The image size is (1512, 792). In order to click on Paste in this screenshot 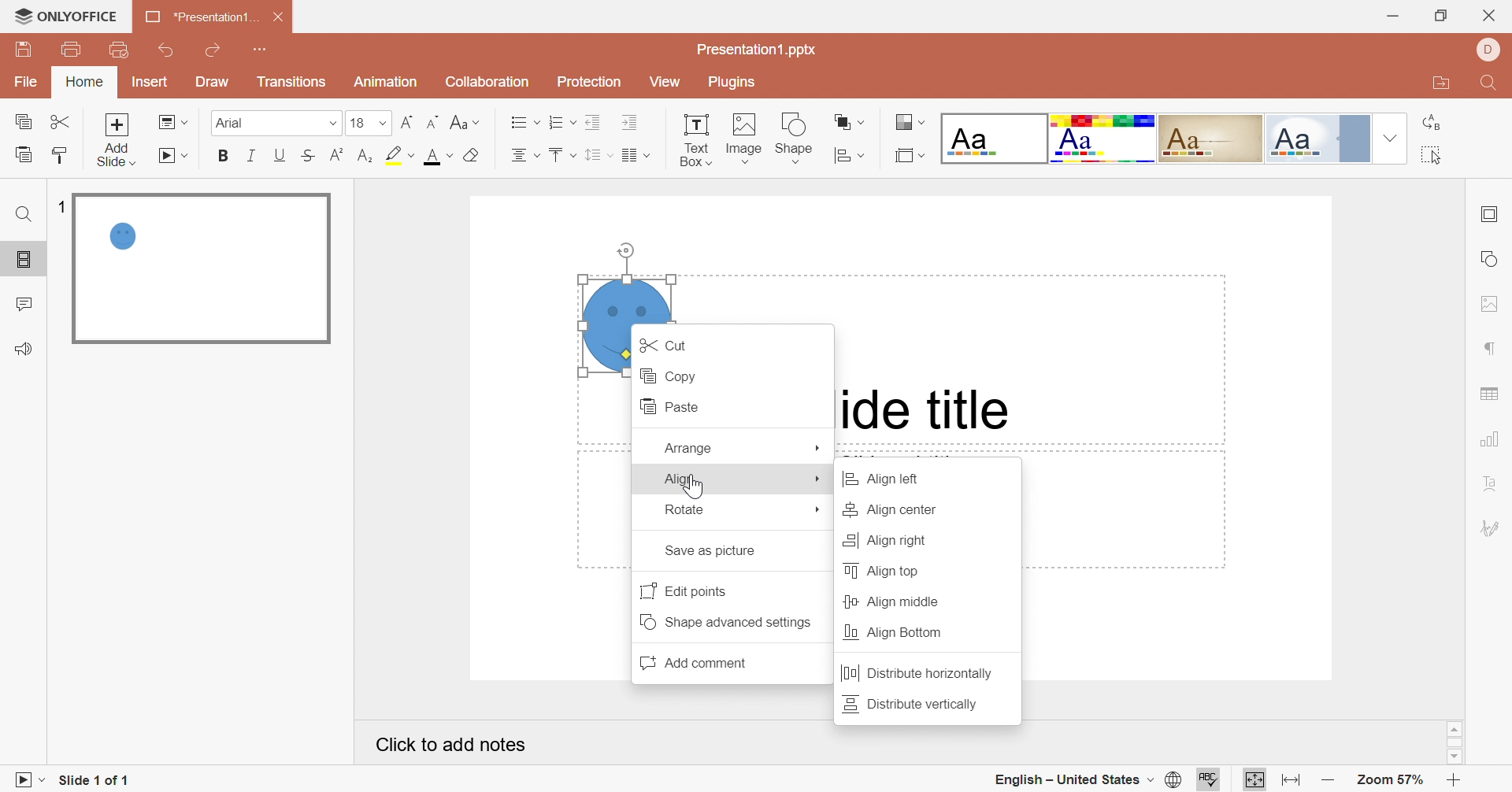, I will do `click(22, 154)`.